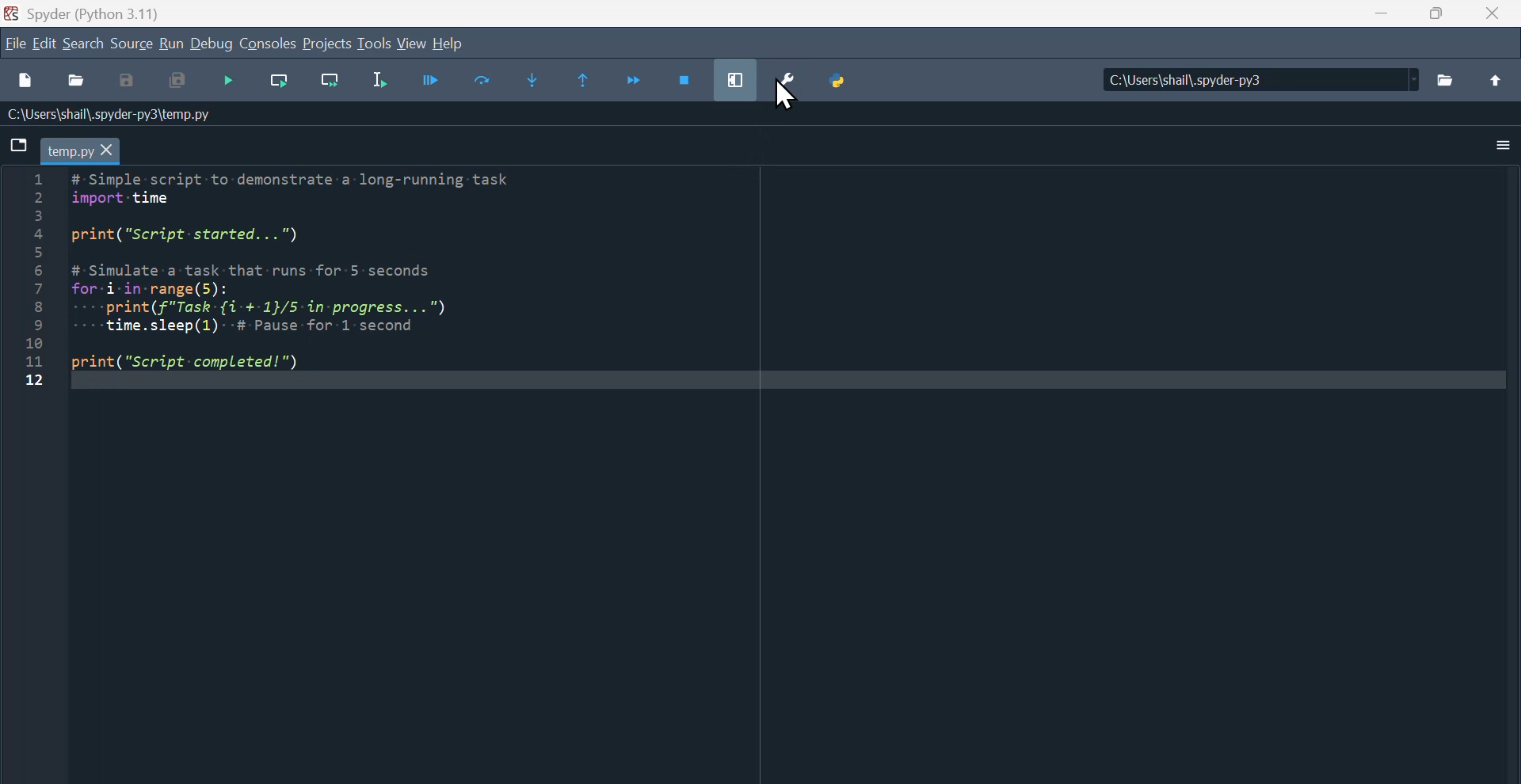 This screenshot has width=1521, height=784. Describe the element at coordinates (460, 43) in the screenshot. I see `help` at that location.